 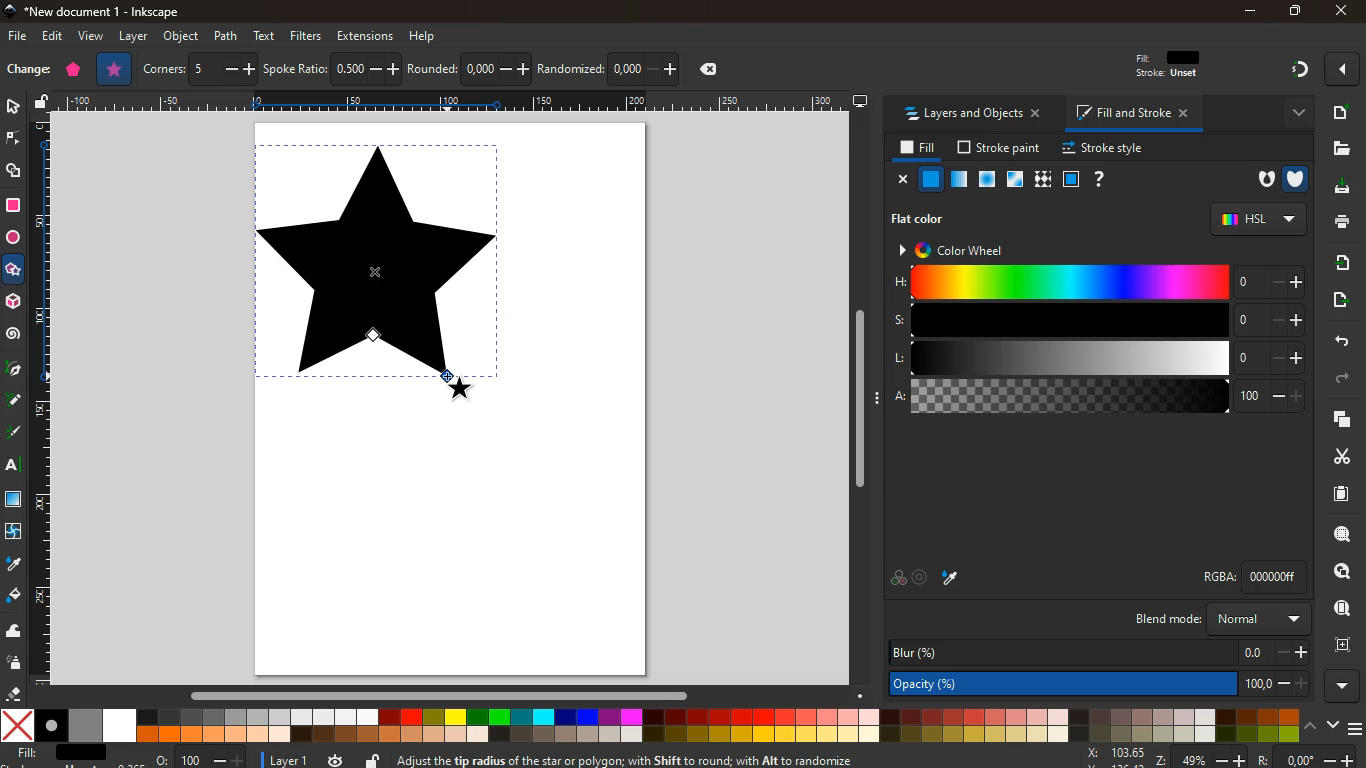 What do you see at coordinates (12, 270) in the screenshot?
I see `star` at bounding box center [12, 270].